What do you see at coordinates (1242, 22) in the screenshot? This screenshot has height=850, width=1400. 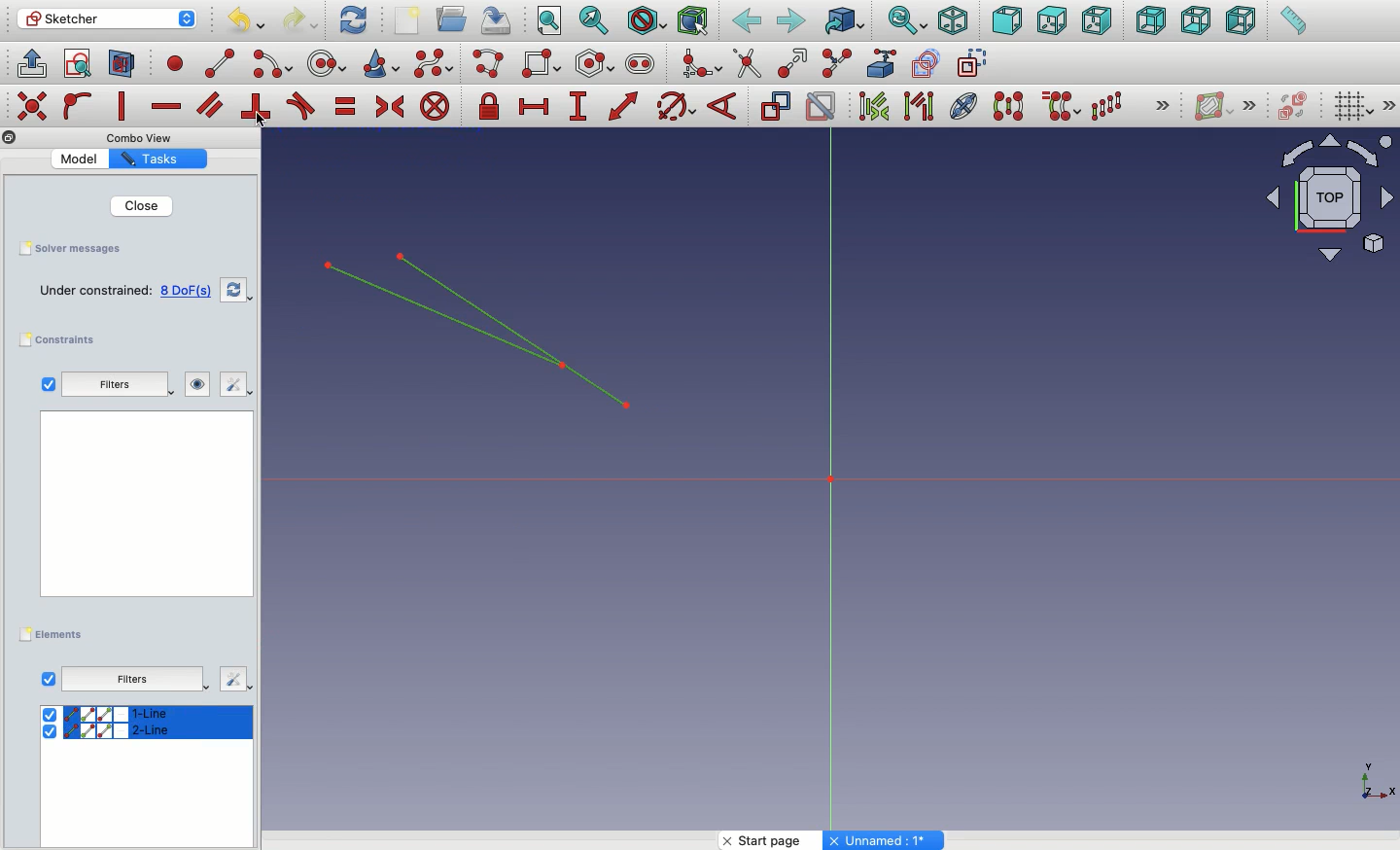 I see `Left` at bounding box center [1242, 22].